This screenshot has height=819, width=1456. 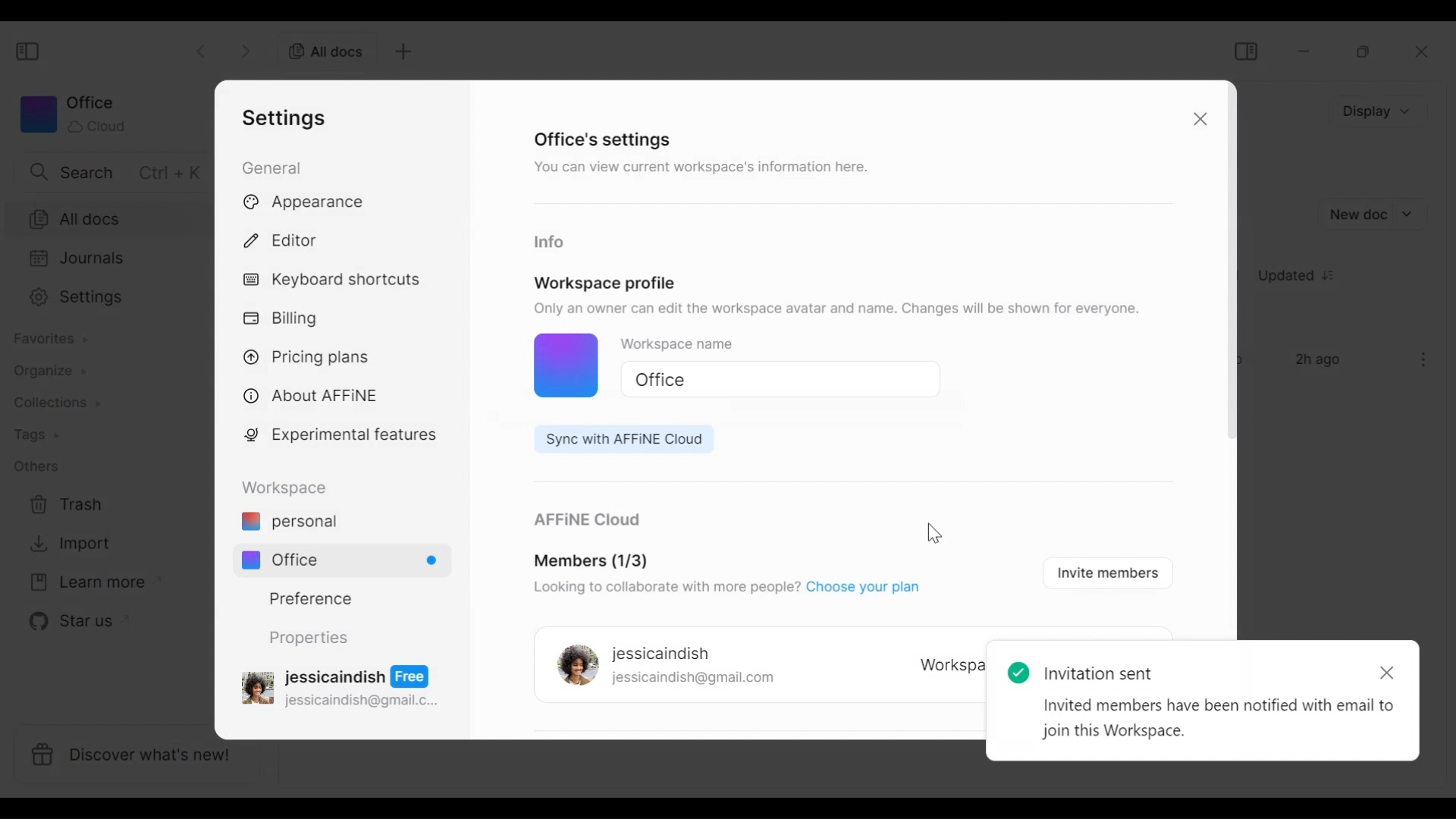 What do you see at coordinates (563, 367) in the screenshot?
I see `Profile` at bounding box center [563, 367].